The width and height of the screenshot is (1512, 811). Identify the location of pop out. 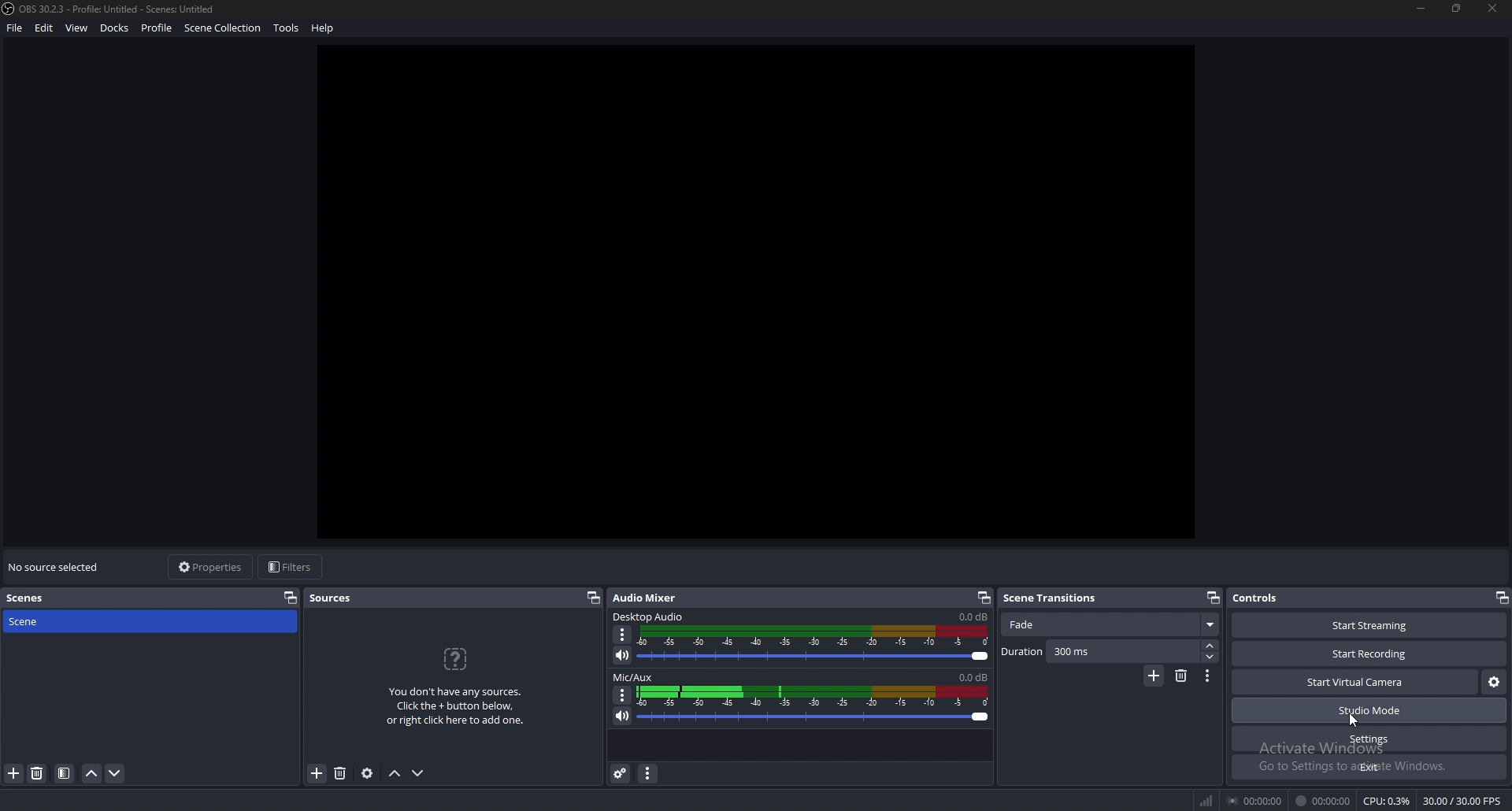
(593, 598).